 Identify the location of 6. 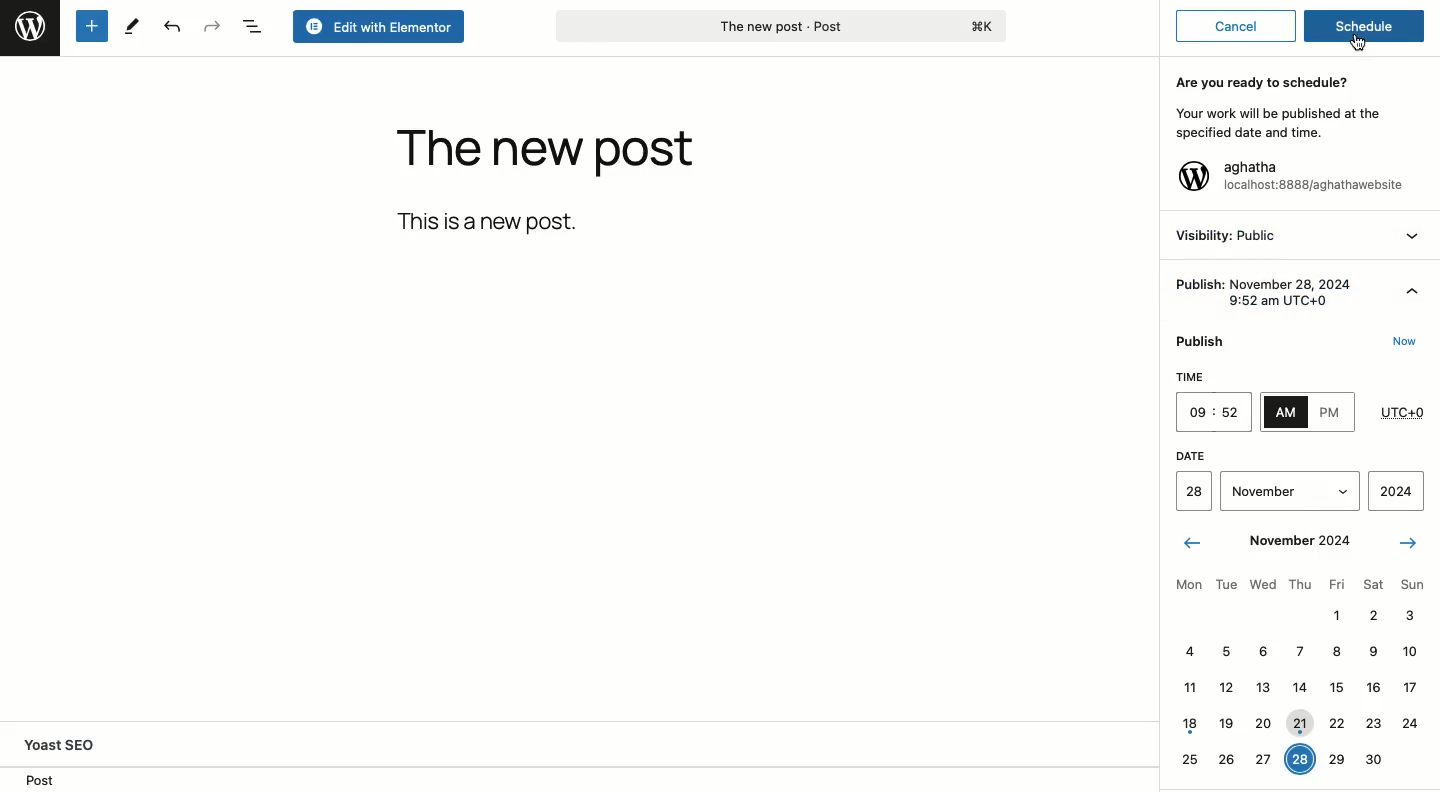
(1262, 649).